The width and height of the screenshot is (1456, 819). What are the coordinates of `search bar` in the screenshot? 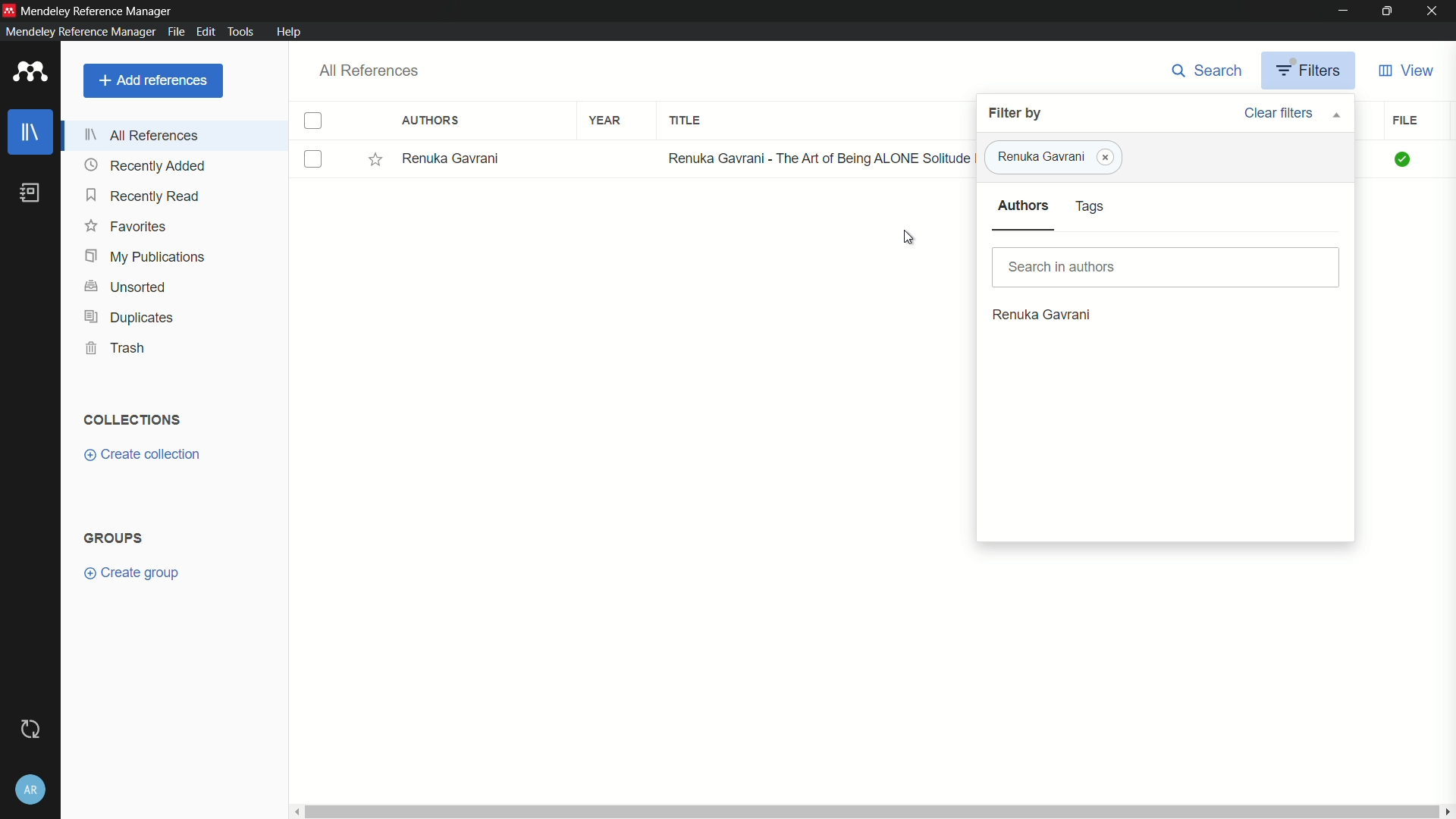 It's located at (1166, 266).